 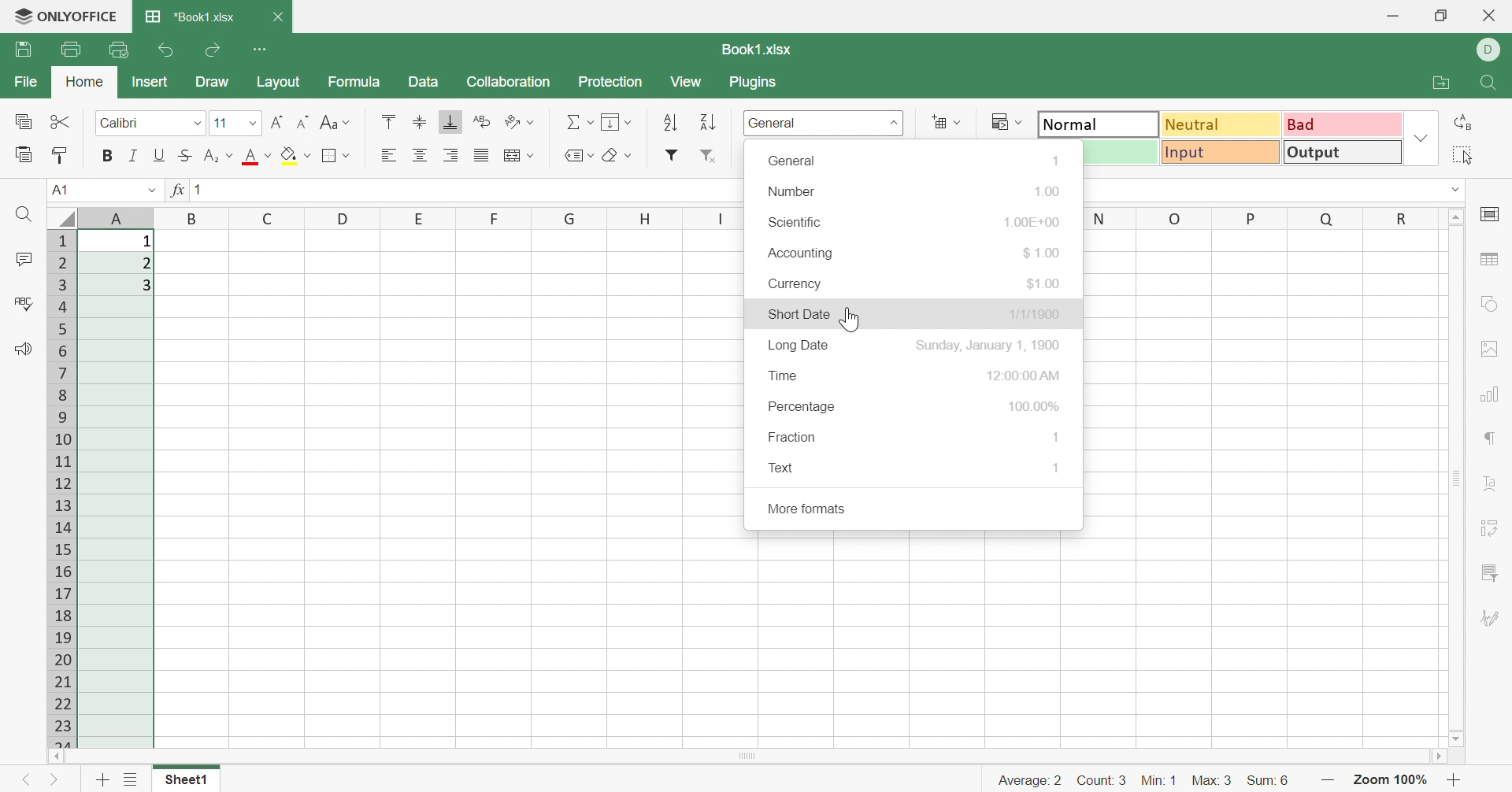 I want to click on Drop down, so click(x=151, y=188).